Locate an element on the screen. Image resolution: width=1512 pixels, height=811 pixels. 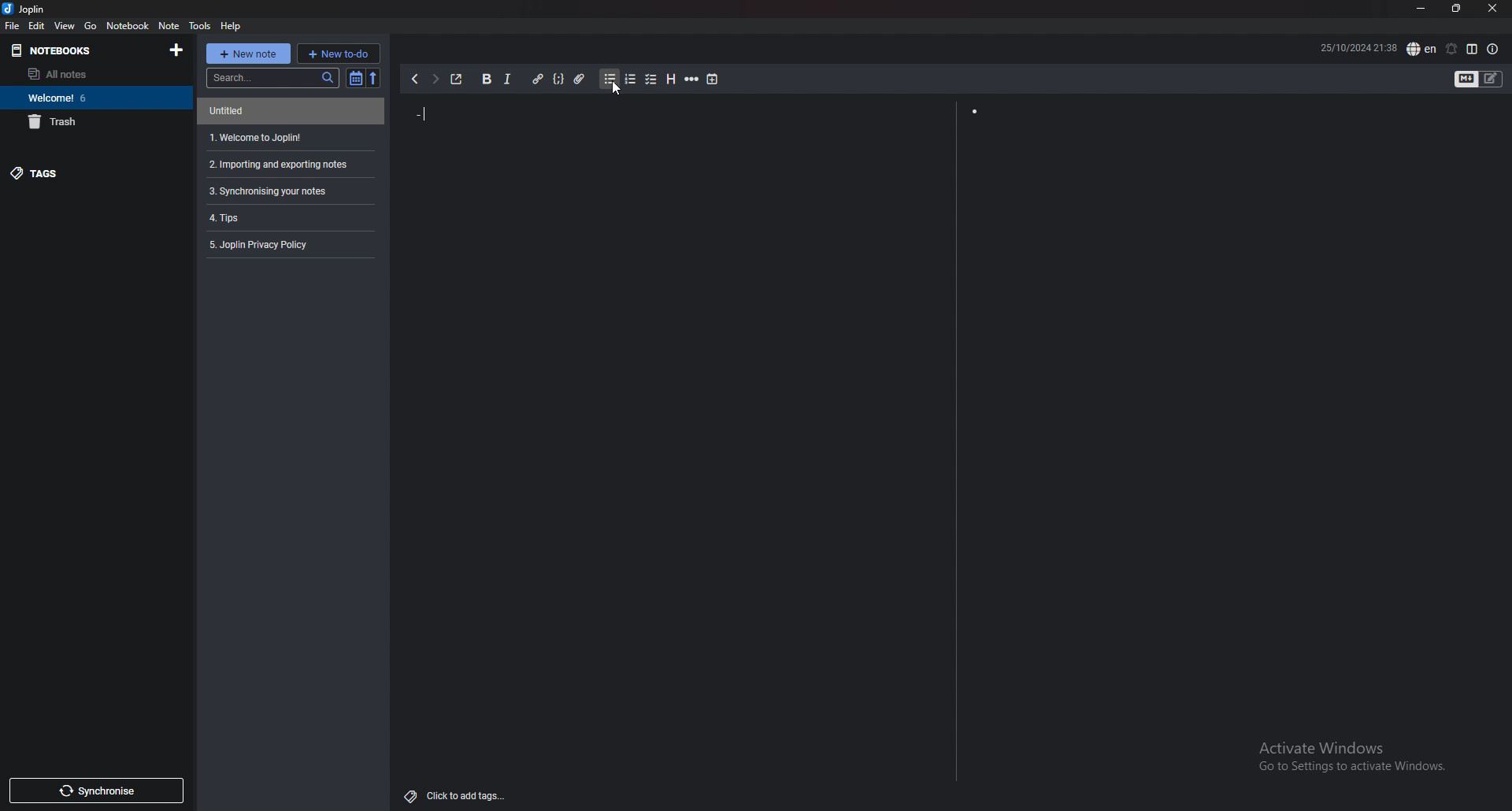
backward is located at coordinates (414, 79).